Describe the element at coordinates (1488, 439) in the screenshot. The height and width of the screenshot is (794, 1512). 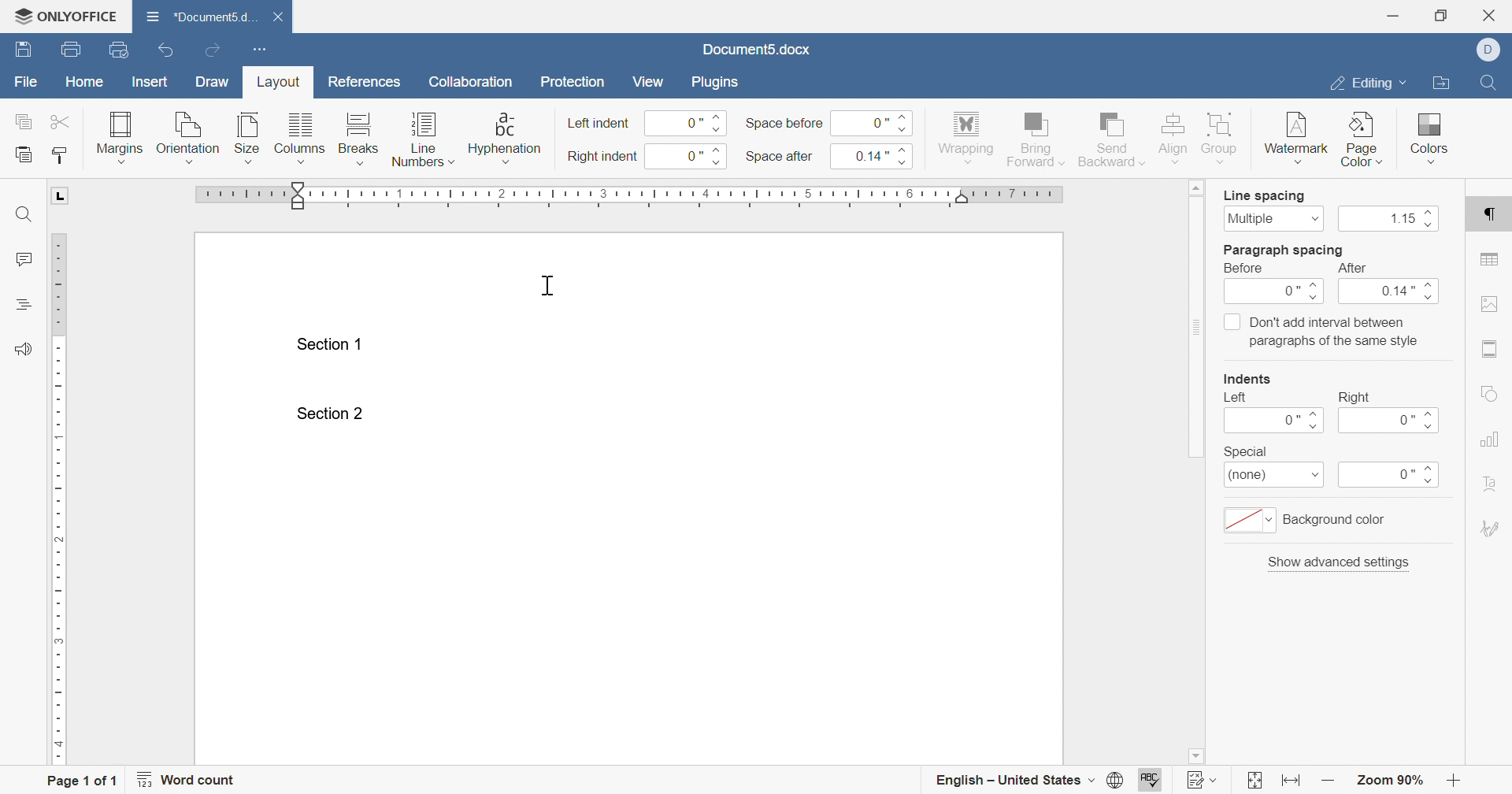
I see `chart settings` at that location.